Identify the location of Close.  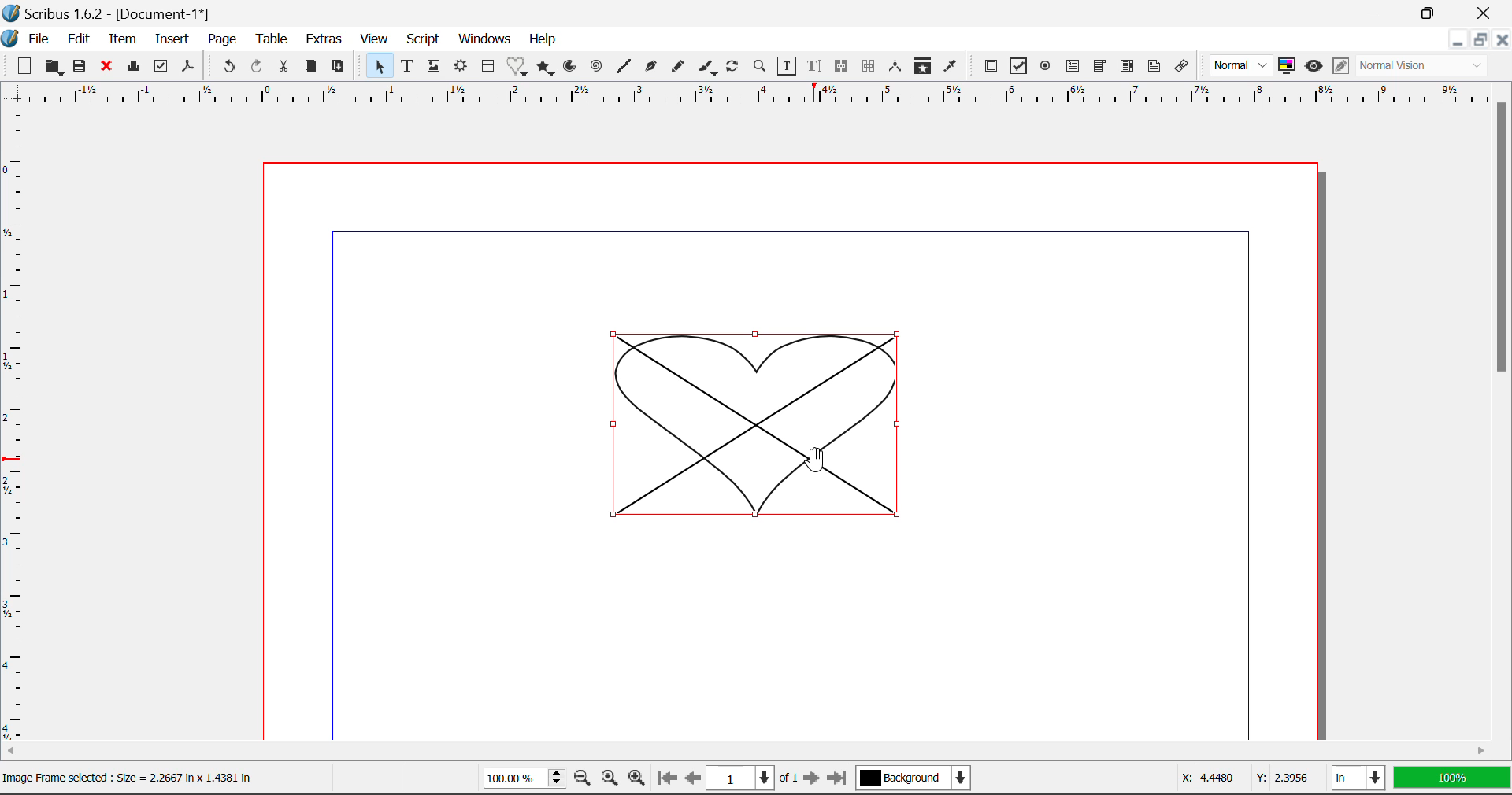
(1503, 42).